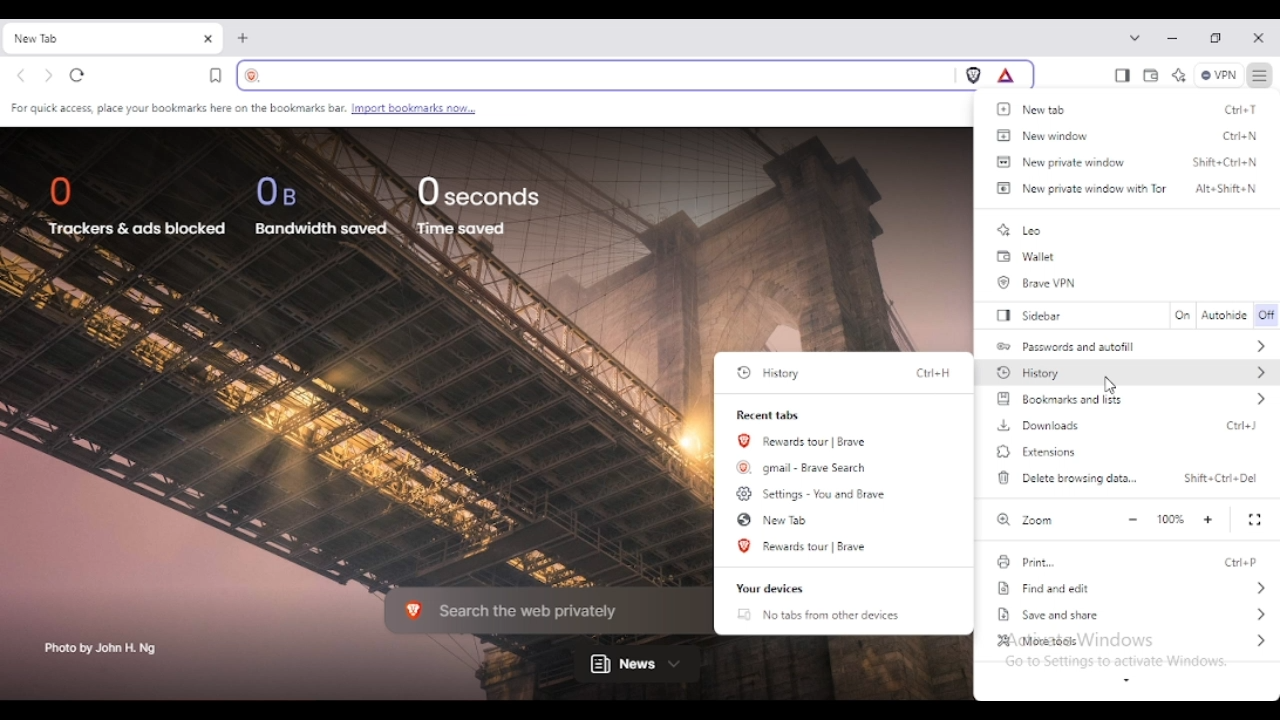 The image size is (1280, 720). I want to click on search, so click(593, 75).